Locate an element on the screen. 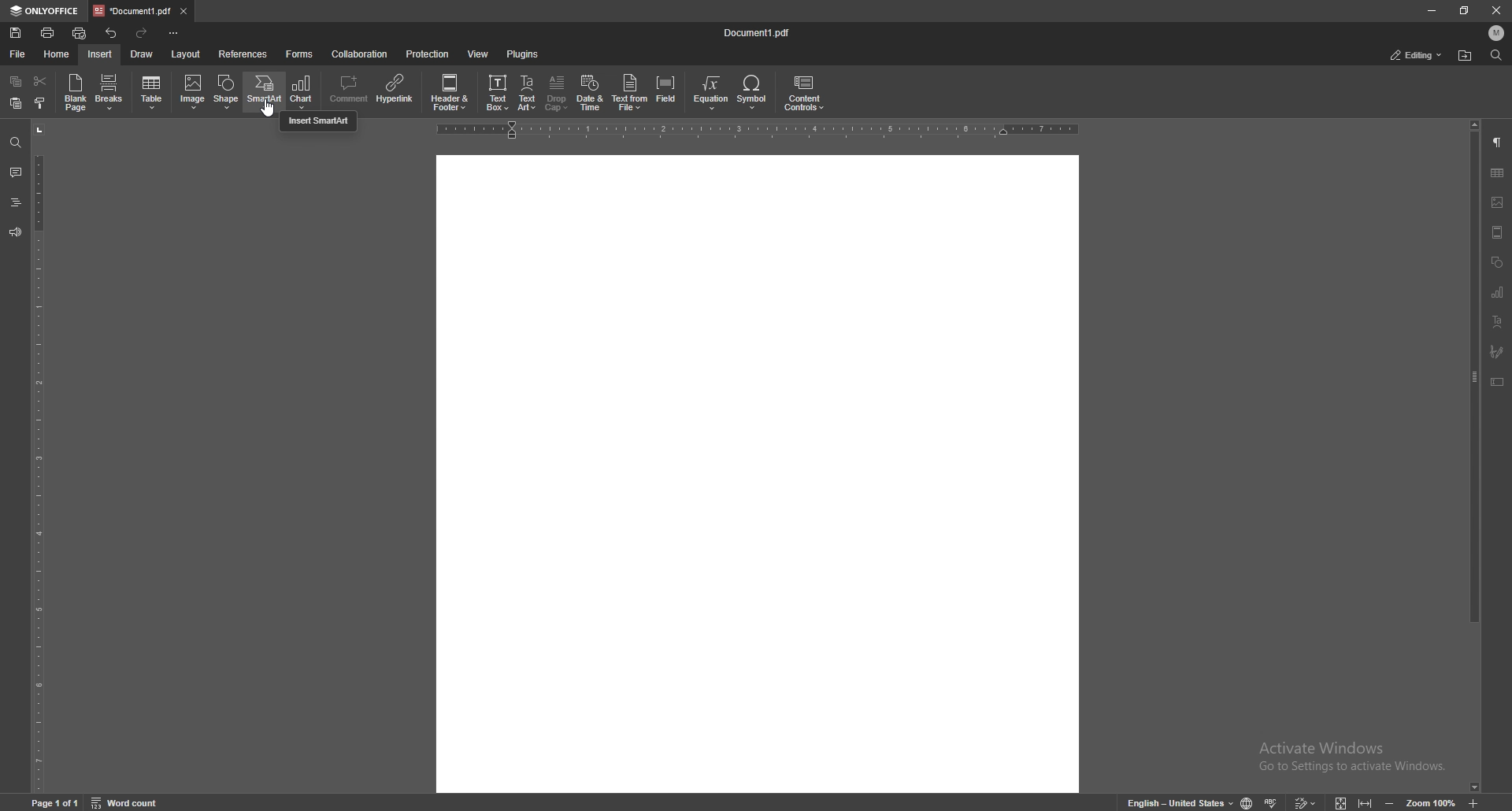 The height and width of the screenshot is (811, 1512). text art is located at coordinates (528, 93).